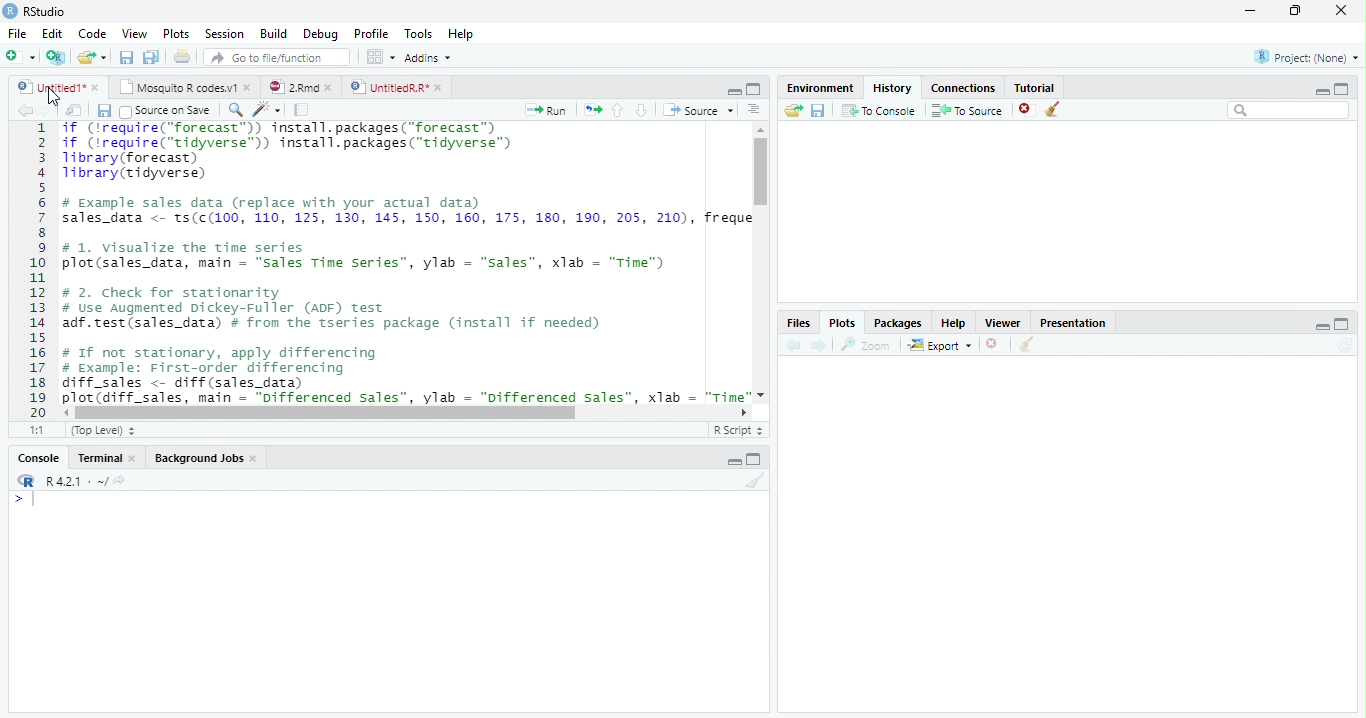 The image size is (1366, 718). Describe the element at coordinates (233, 110) in the screenshot. I see `Find/Replace` at that location.